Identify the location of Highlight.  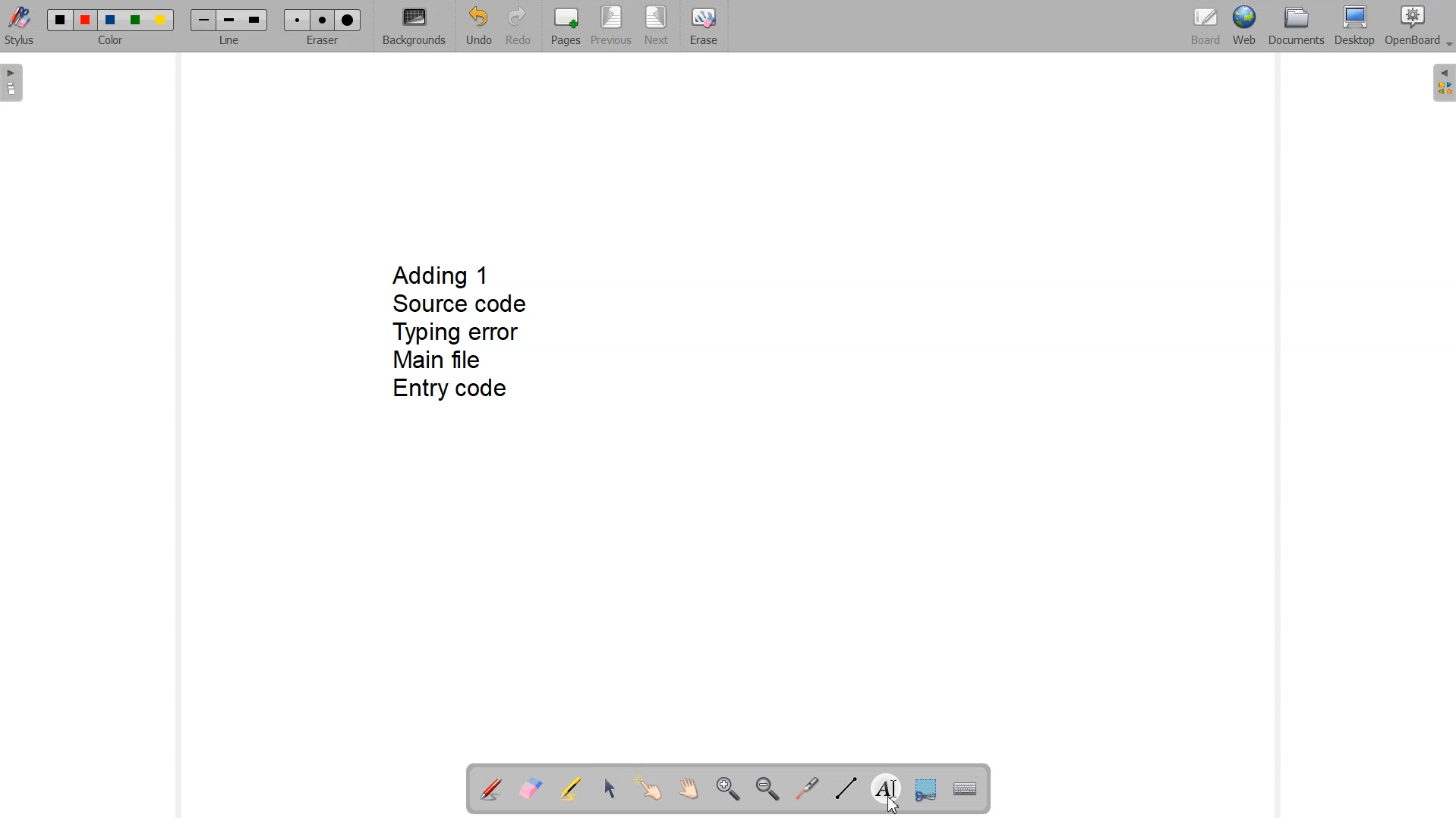
(572, 788).